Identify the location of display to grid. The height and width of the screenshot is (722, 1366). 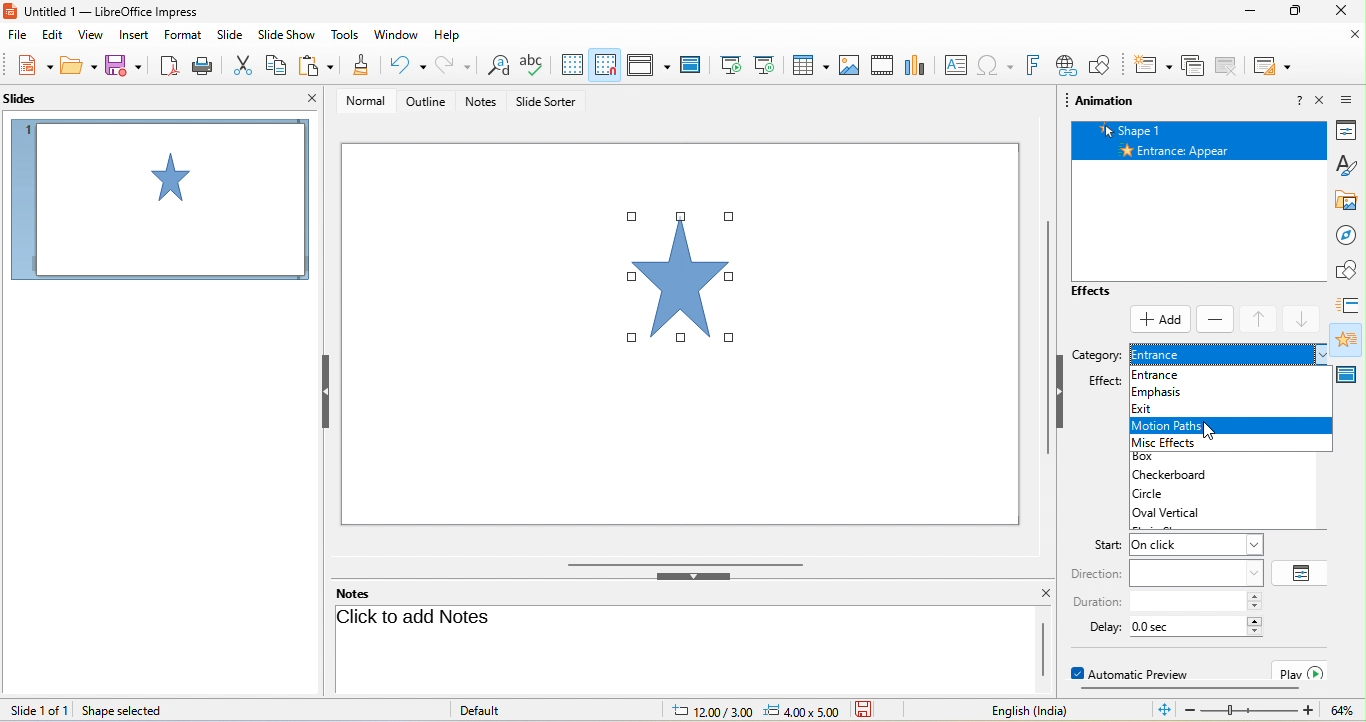
(575, 63).